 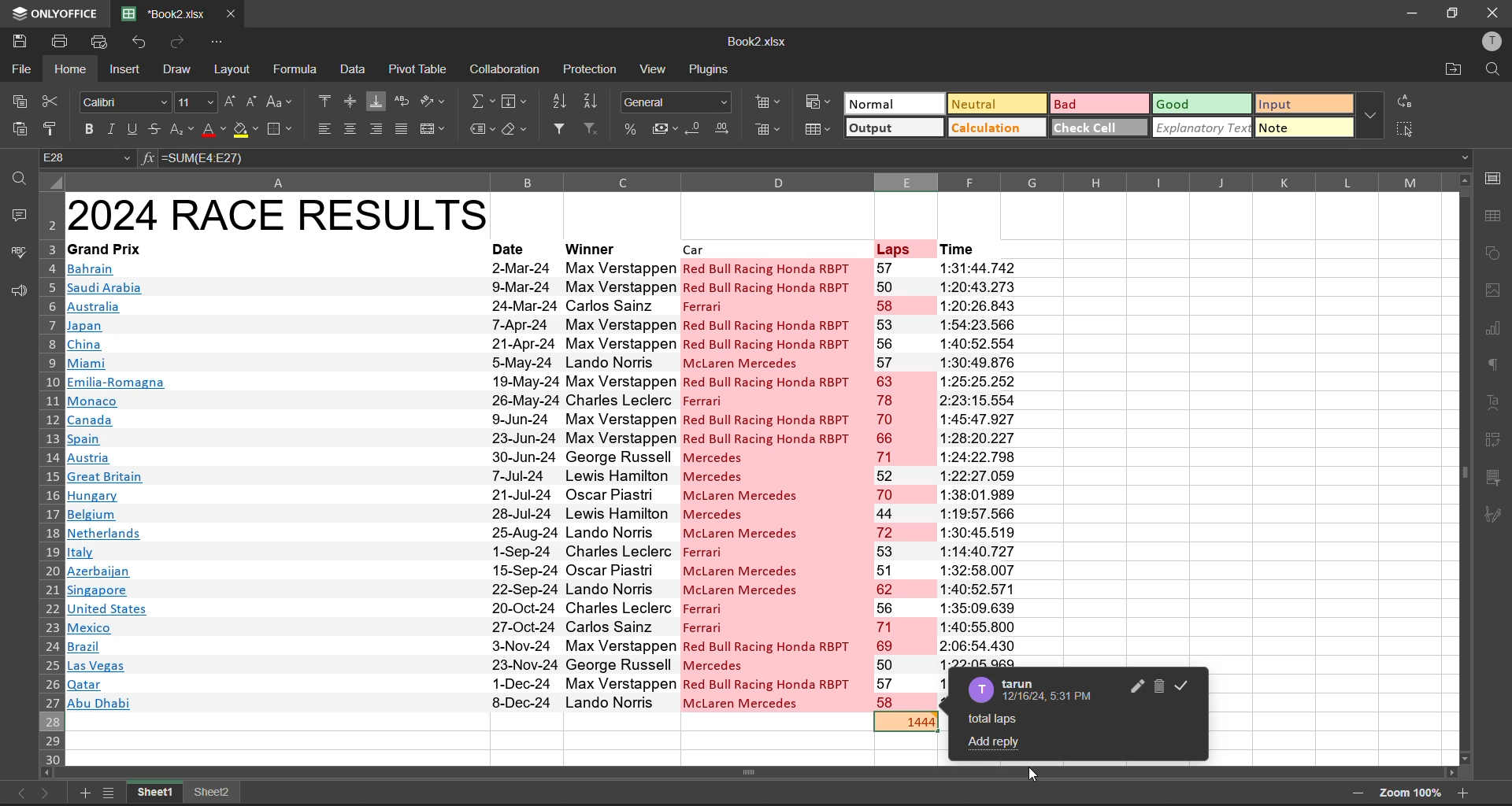 What do you see at coordinates (1410, 102) in the screenshot?
I see `replace` at bounding box center [1410, 102].